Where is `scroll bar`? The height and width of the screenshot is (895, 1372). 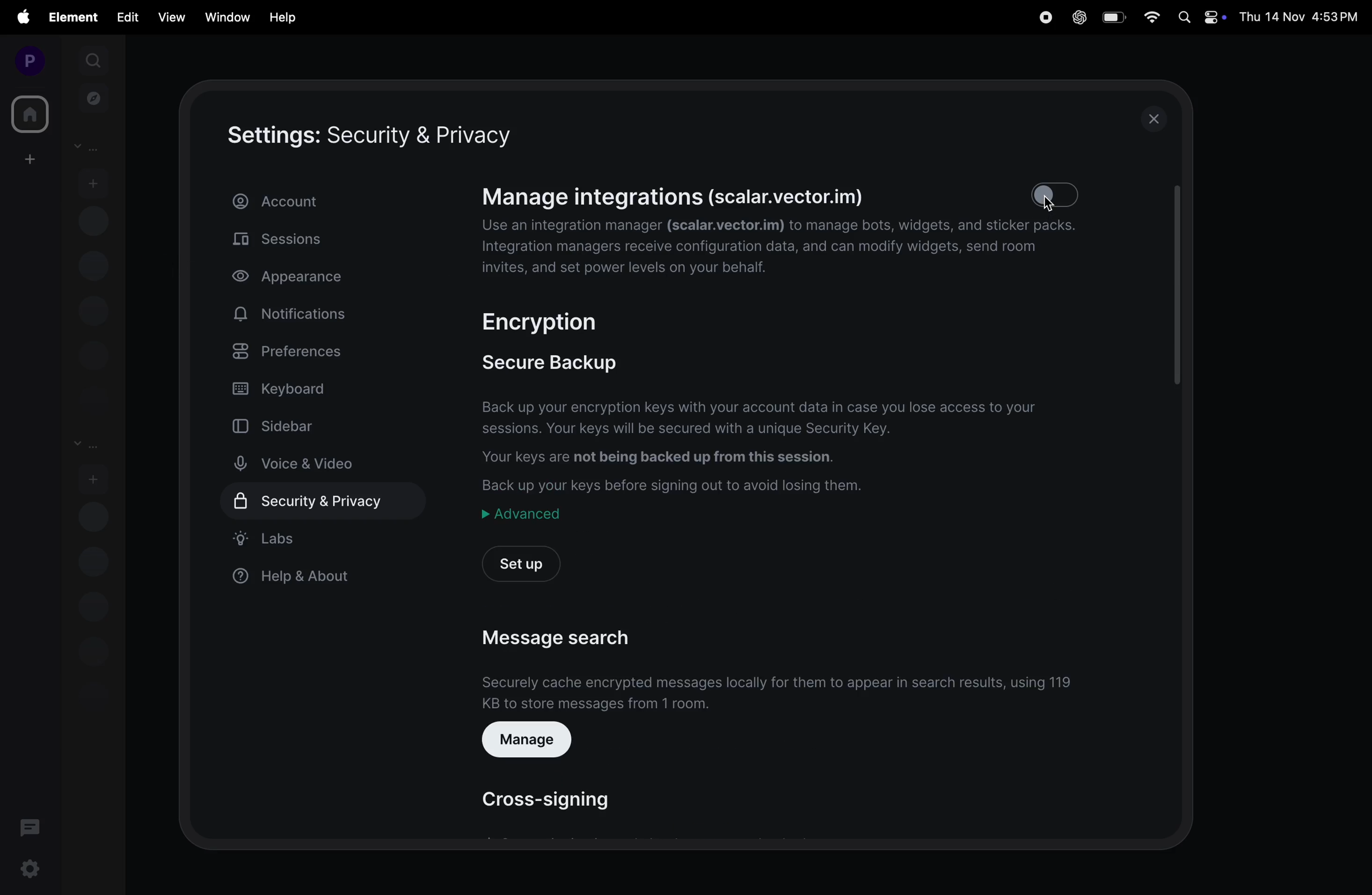 scroll bar is located at coordinates (1179, 286).